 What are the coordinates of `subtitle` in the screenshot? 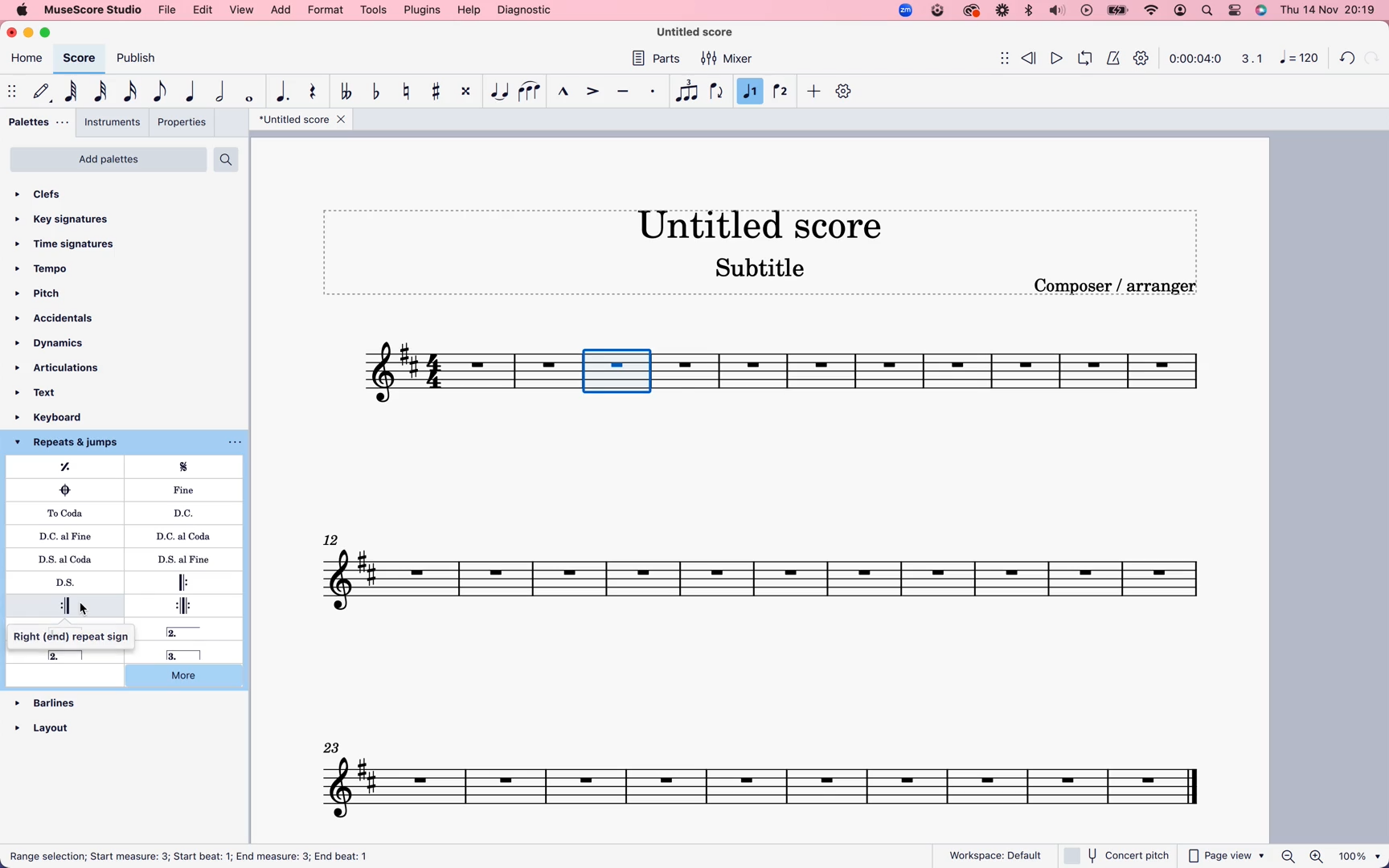 It's located at (762, 270).